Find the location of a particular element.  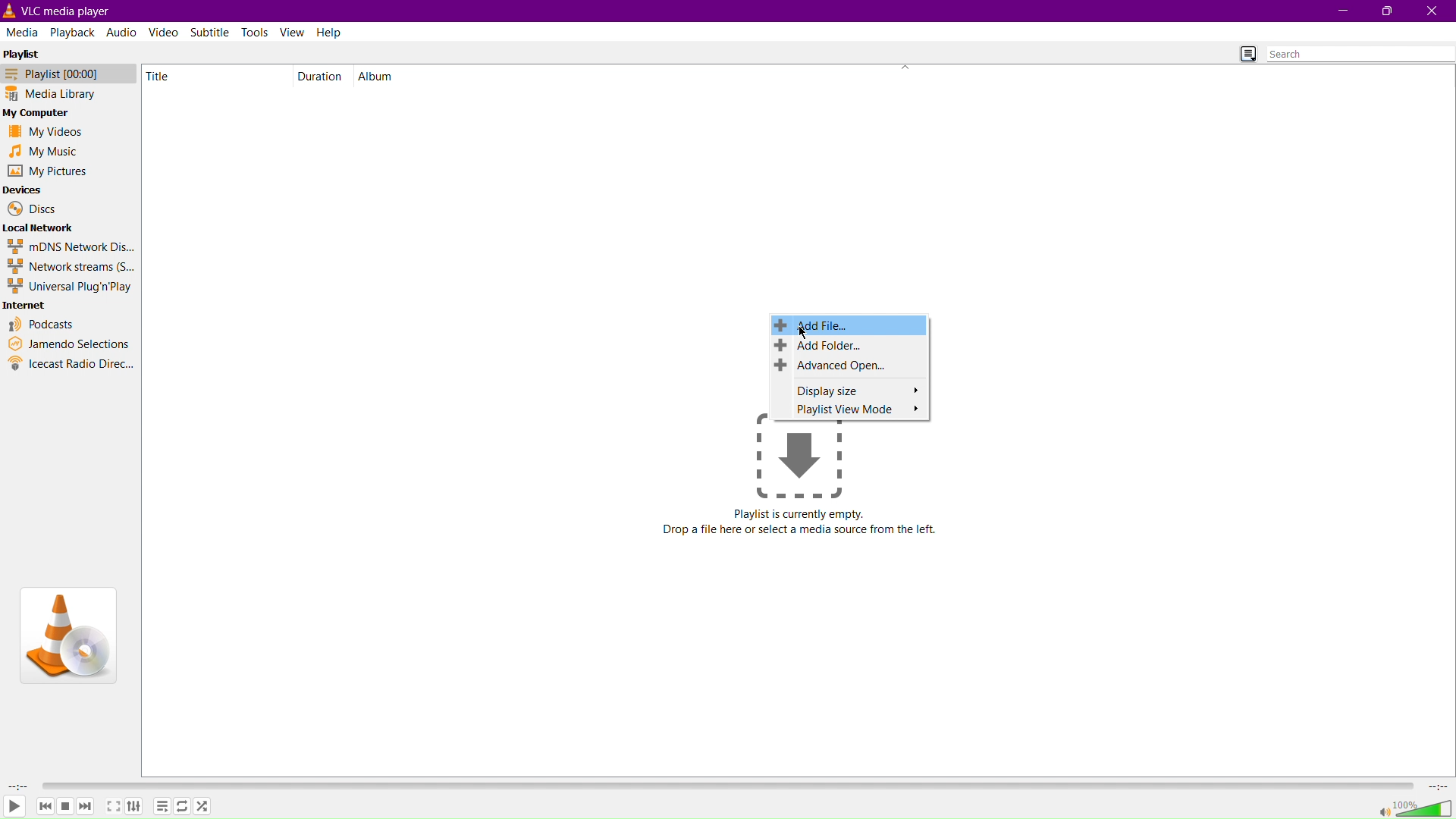

logo is located at coordinates (11, 11).